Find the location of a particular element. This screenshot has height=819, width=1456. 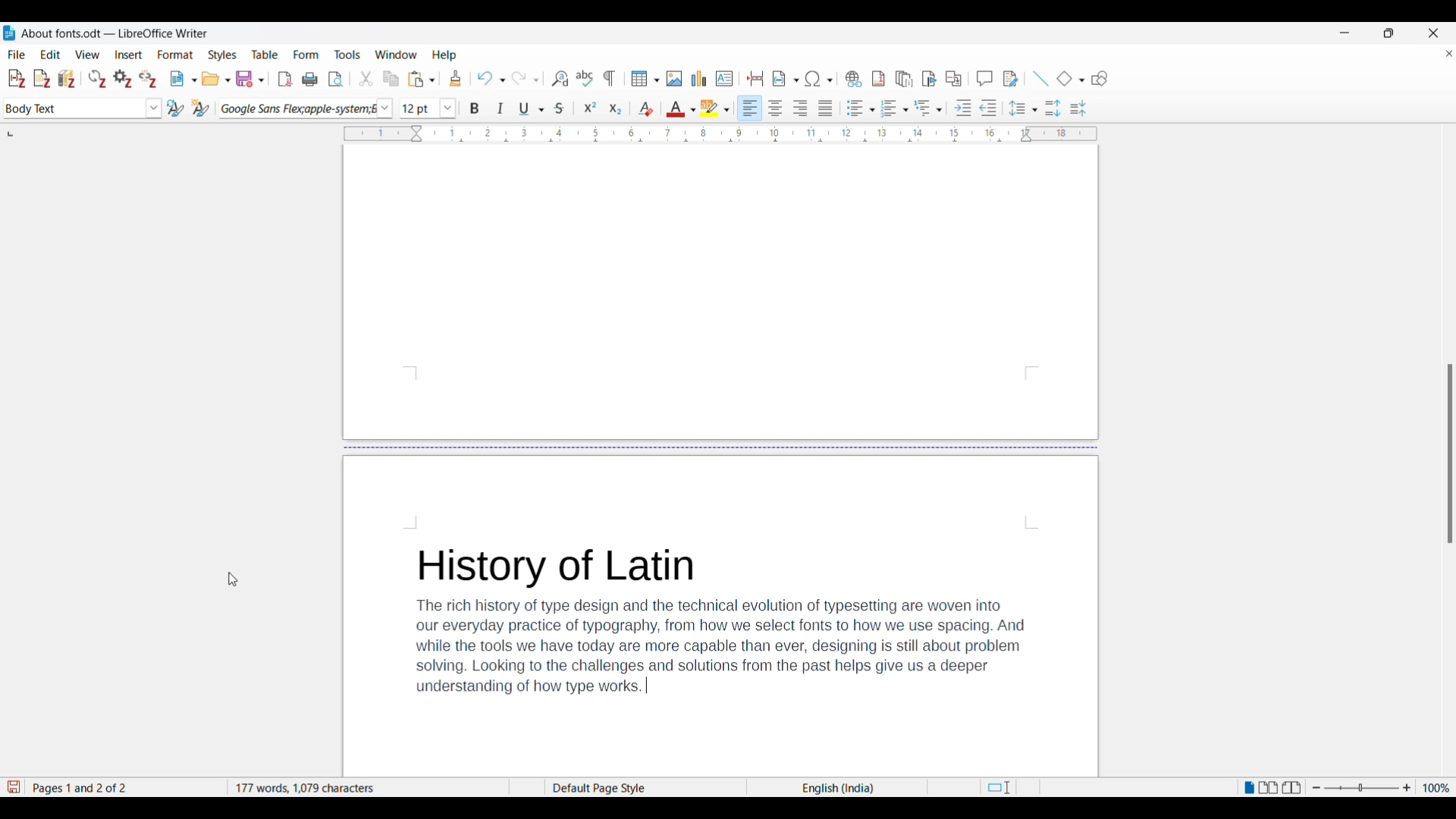

Horizontal ruler is located at coordinates (720, 134).